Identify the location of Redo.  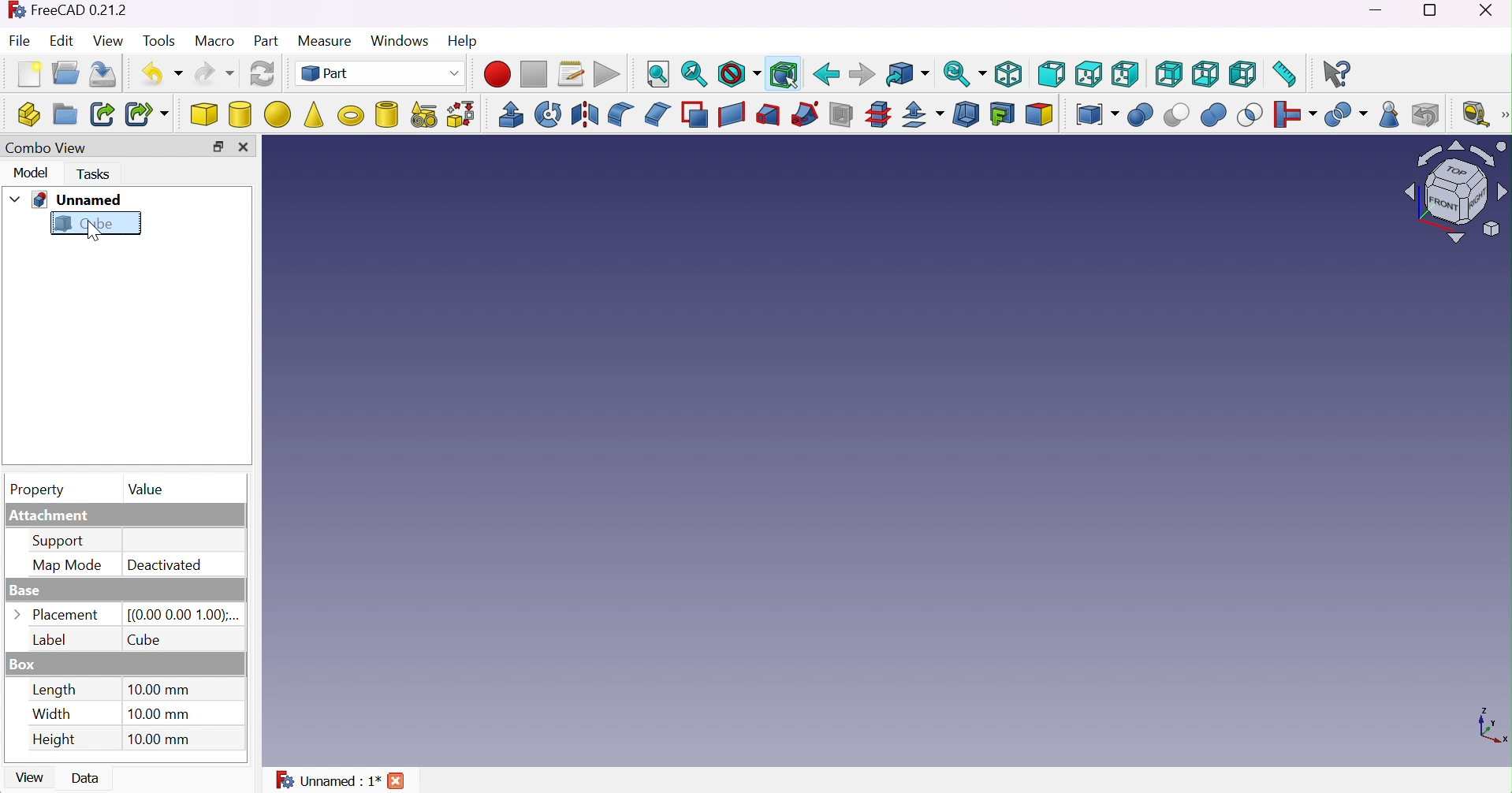
(213, 75).